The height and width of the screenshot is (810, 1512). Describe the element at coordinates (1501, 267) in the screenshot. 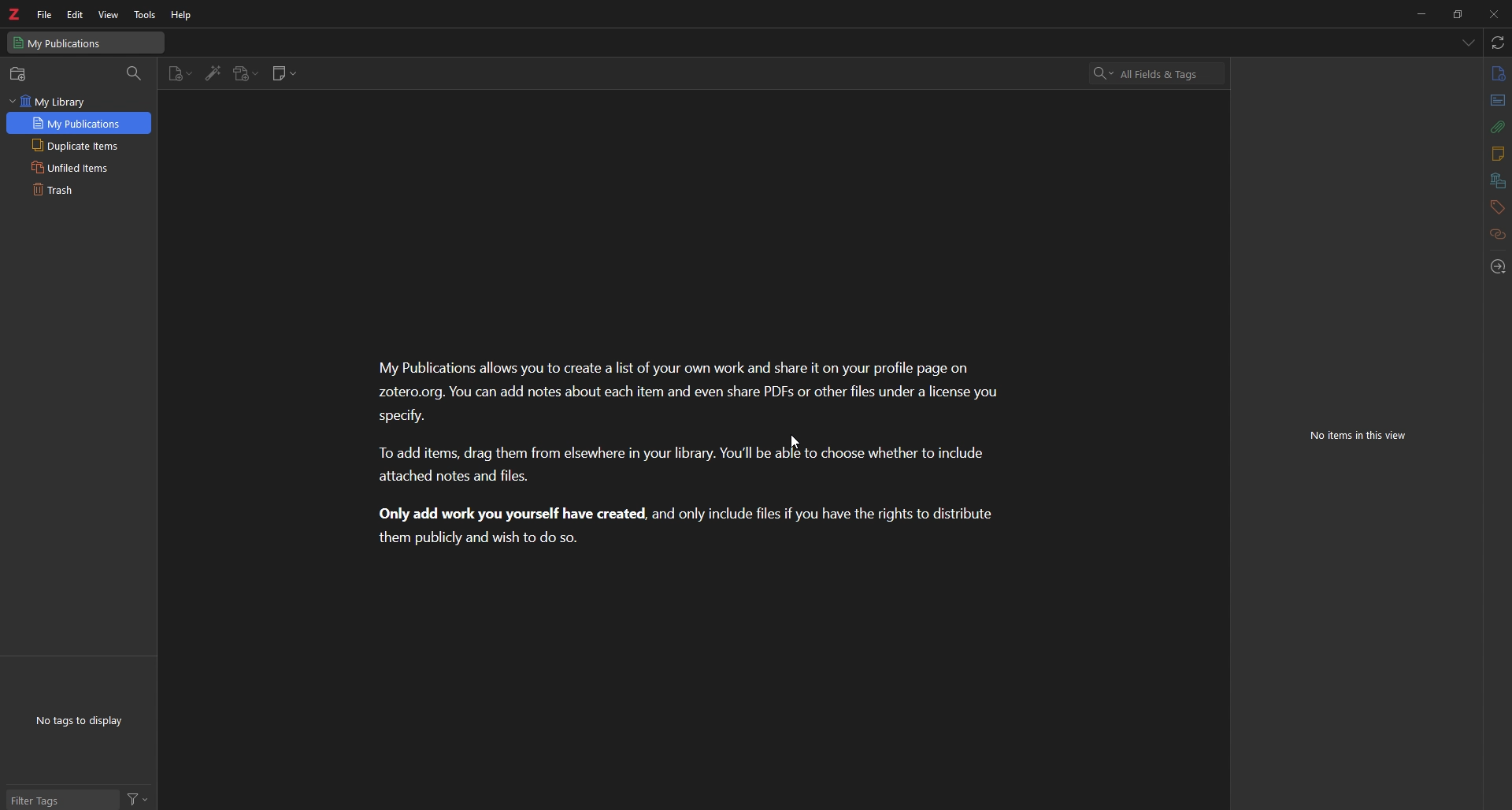

I see `Locate` at that location.